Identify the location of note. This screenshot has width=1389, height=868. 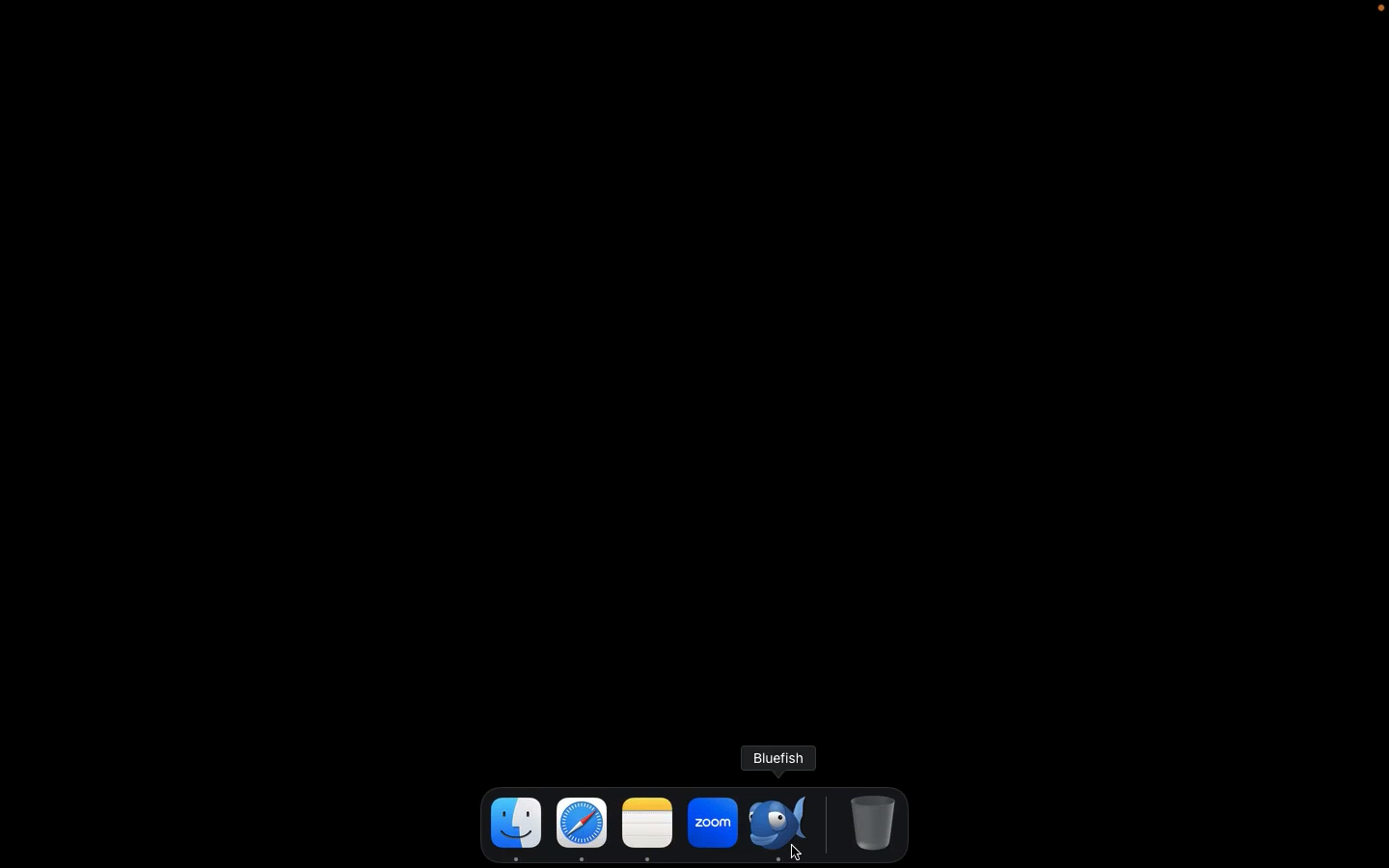
(647, 821).